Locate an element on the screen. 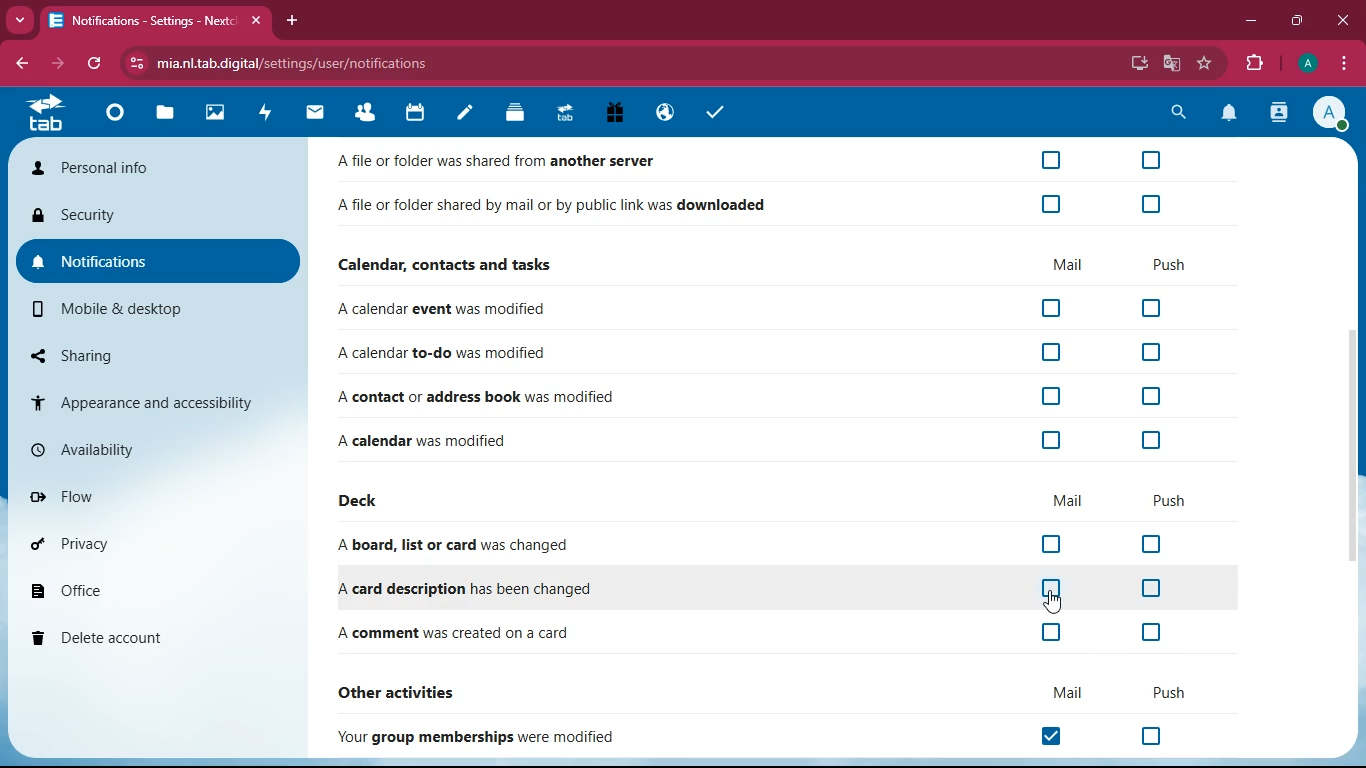 The width and height of the screenshot is (1366, 768). off is located at coordinates (1151, 397).